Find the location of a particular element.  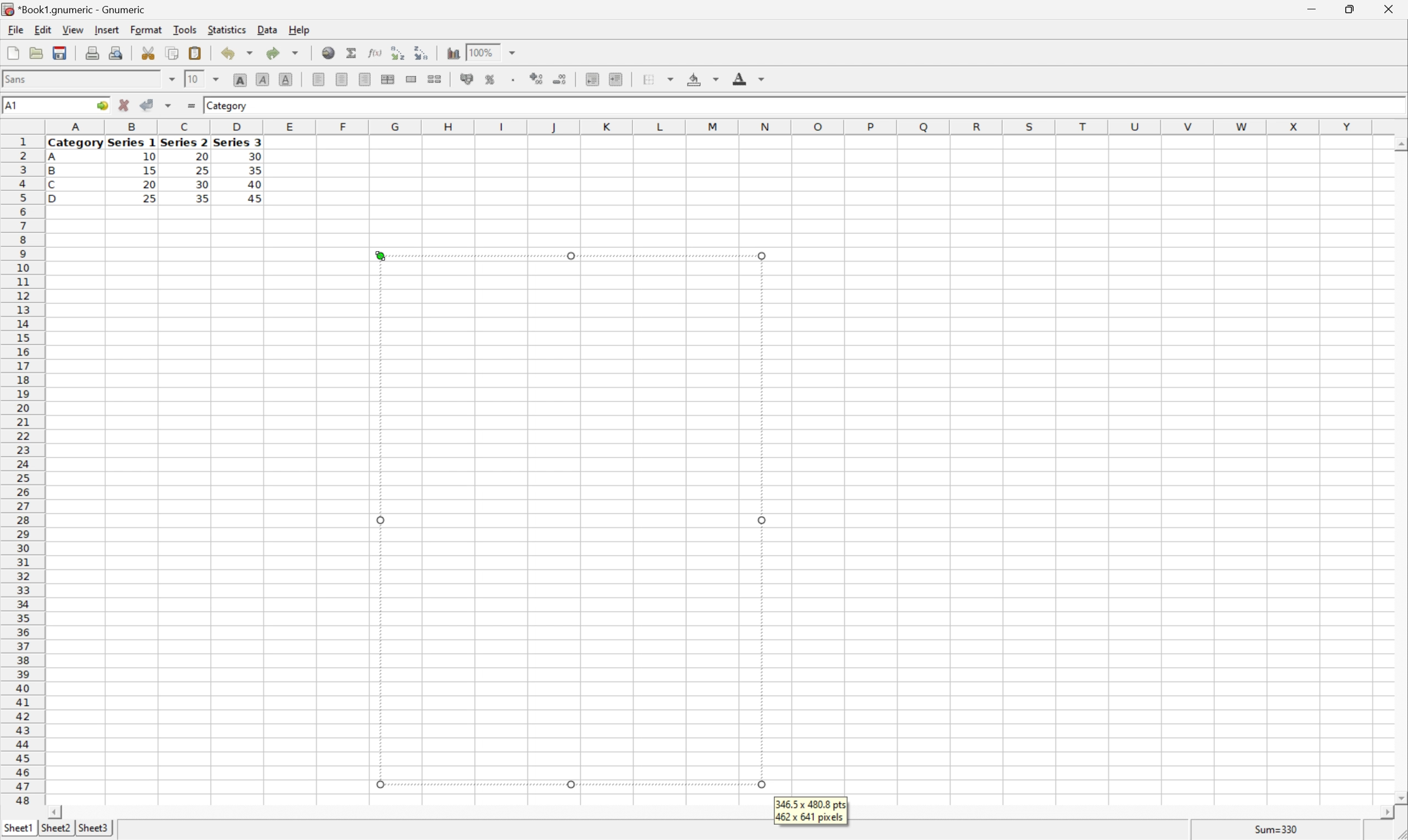

Save current workbook is located at coordinates (59, 52).